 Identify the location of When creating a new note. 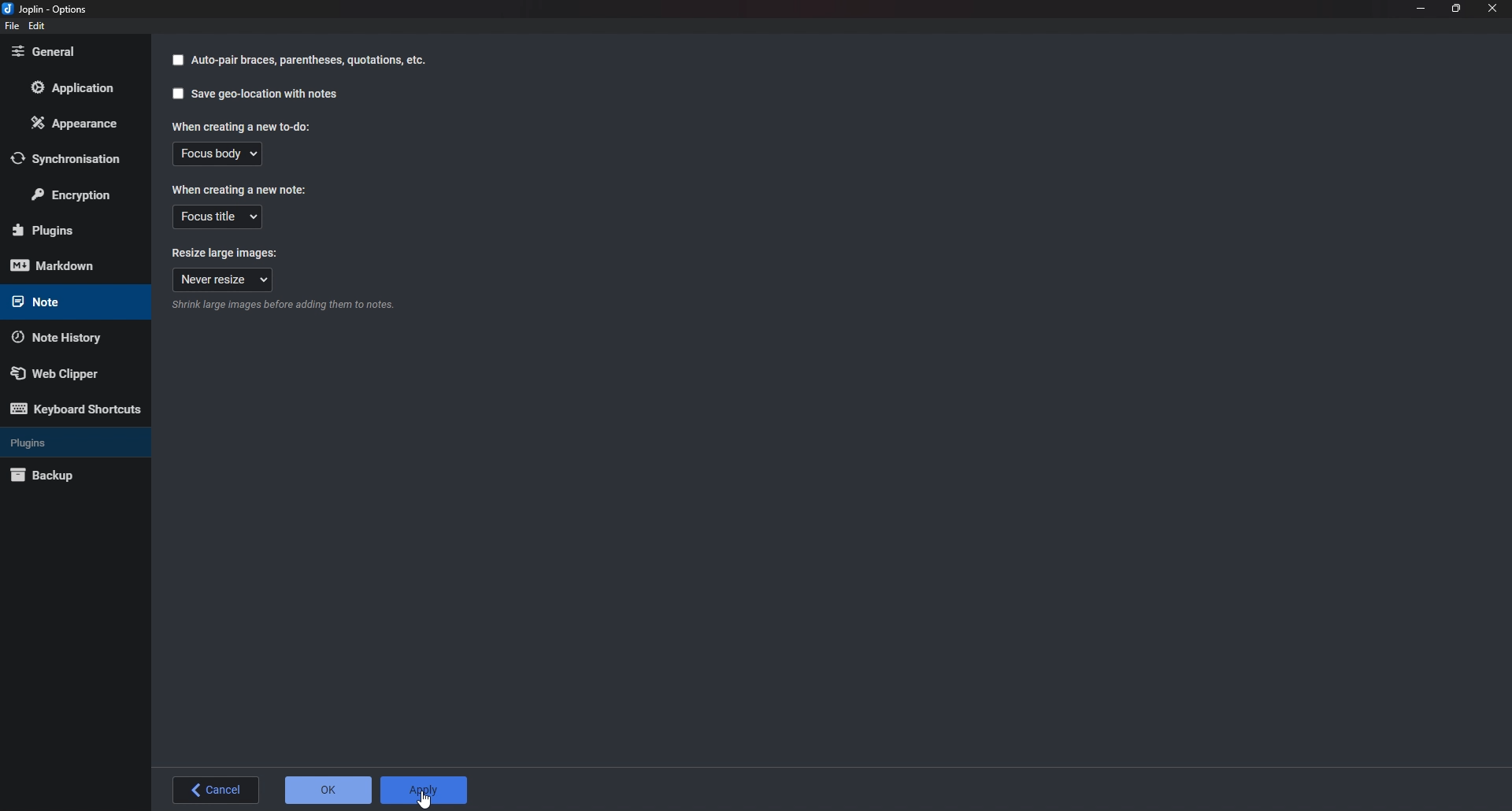
(241, 190).